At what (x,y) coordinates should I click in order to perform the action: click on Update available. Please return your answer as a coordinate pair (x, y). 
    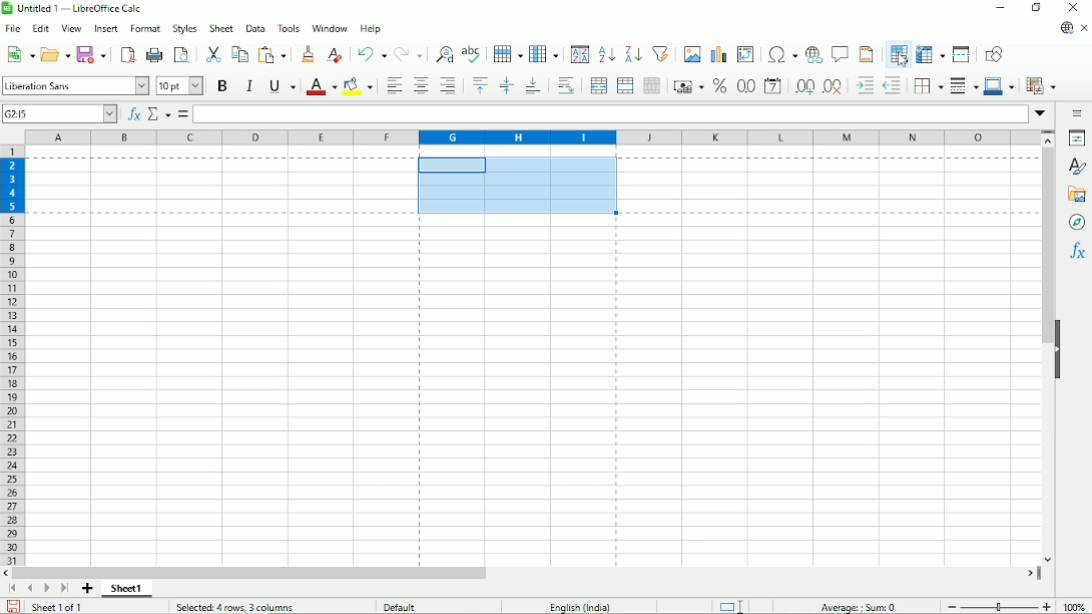
    Looking at the image, I should click on (1065, 28).